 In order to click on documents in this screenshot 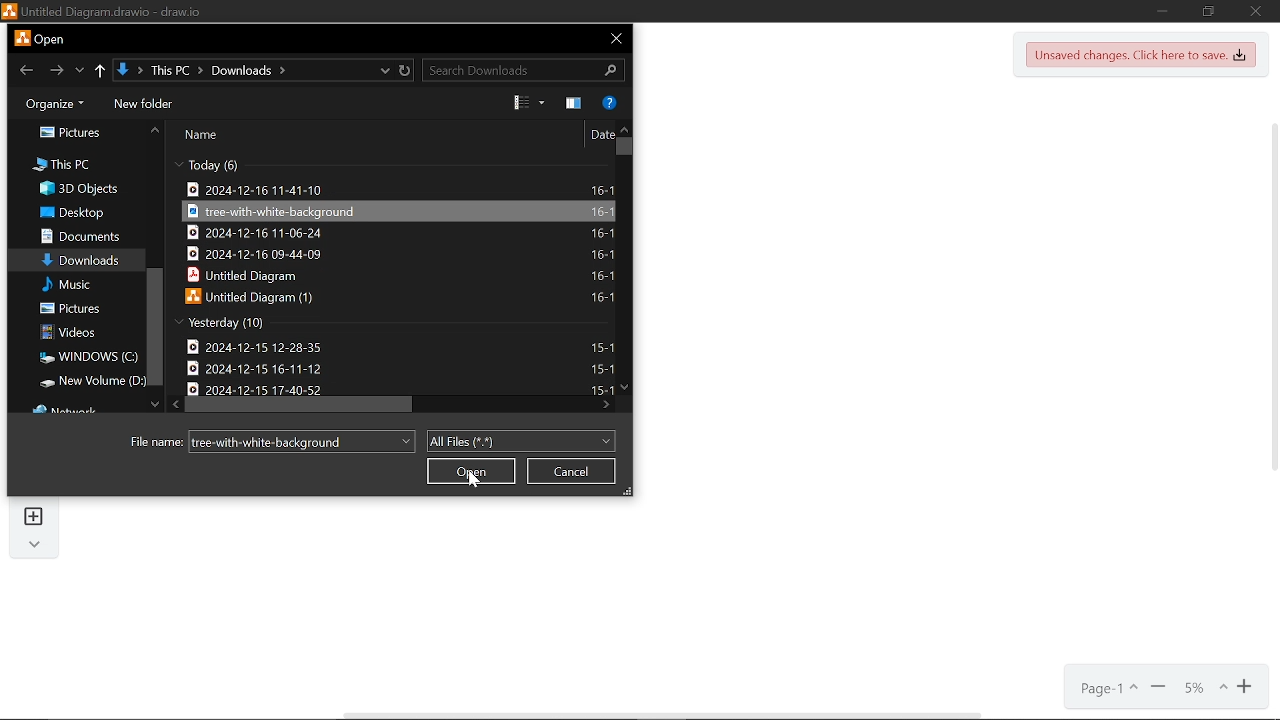, I will do `click(79, 237)`.